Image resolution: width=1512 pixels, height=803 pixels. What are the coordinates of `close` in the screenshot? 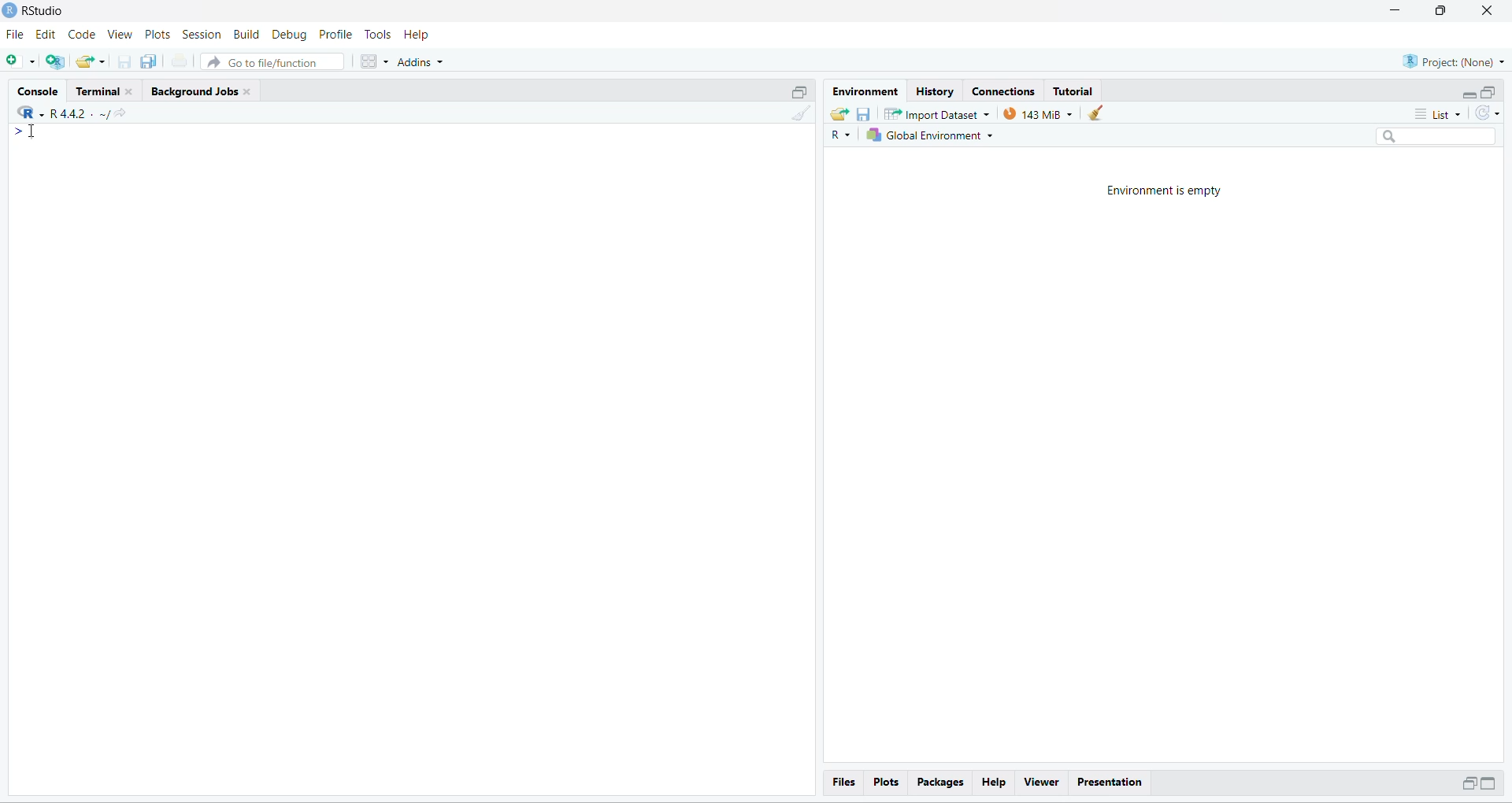 It's located at (131, 92).